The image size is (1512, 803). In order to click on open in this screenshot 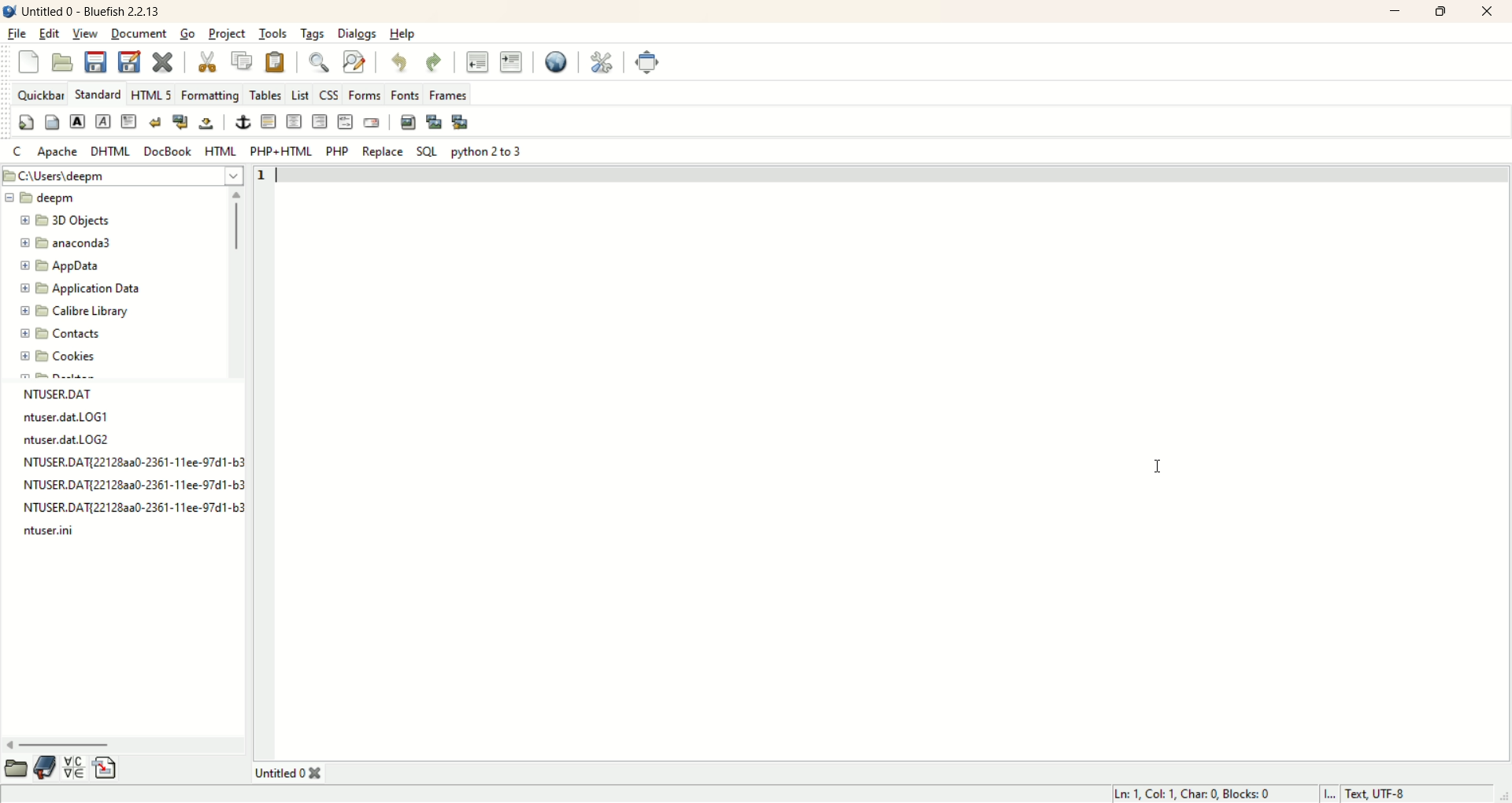, I will do `click(14, 767)`.